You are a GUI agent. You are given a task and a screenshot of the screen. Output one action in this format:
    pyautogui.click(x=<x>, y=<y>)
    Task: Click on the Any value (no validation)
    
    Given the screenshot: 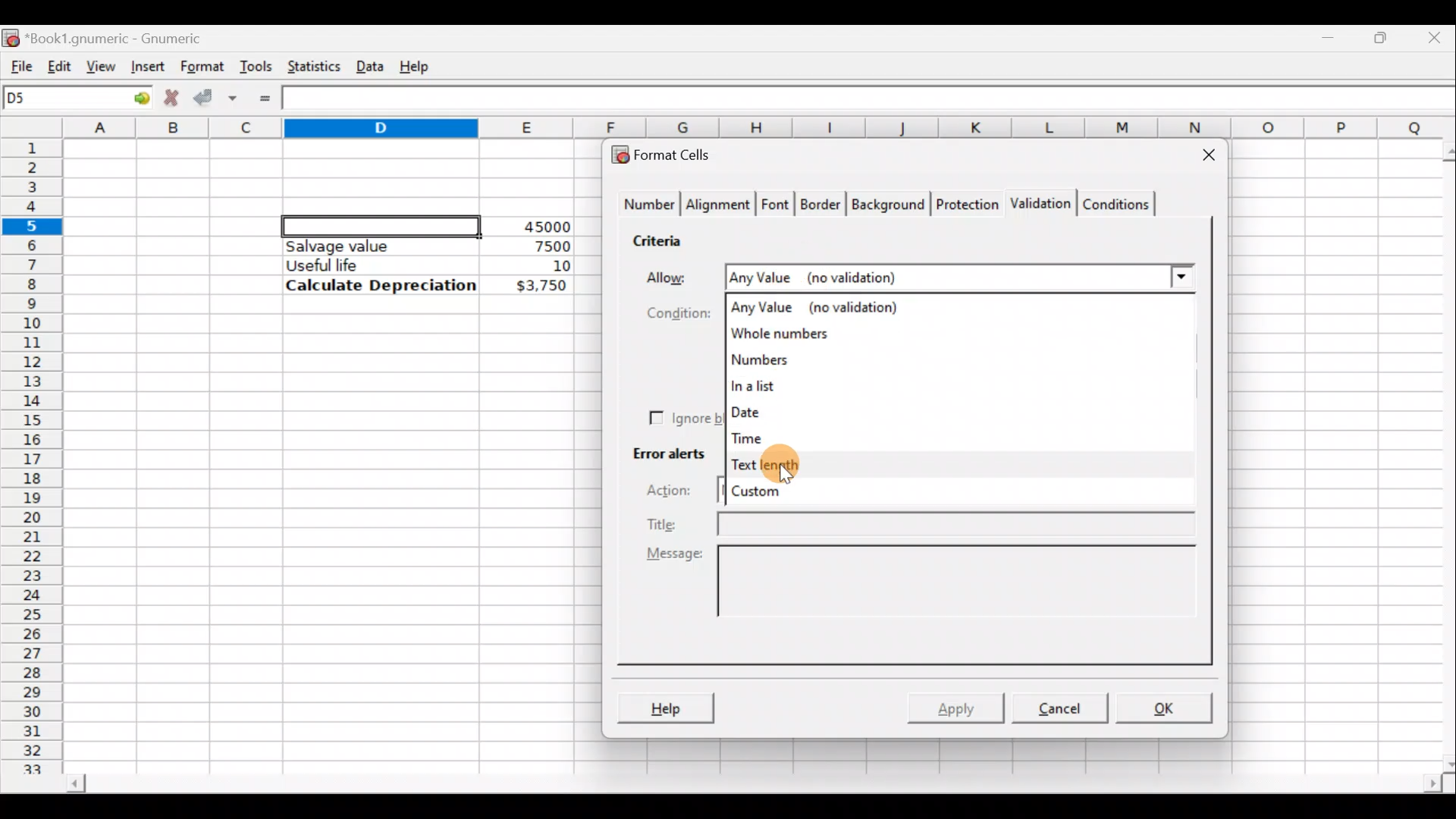 What is the action you would take?
    pyautogui.click(x=823, y=306)
    